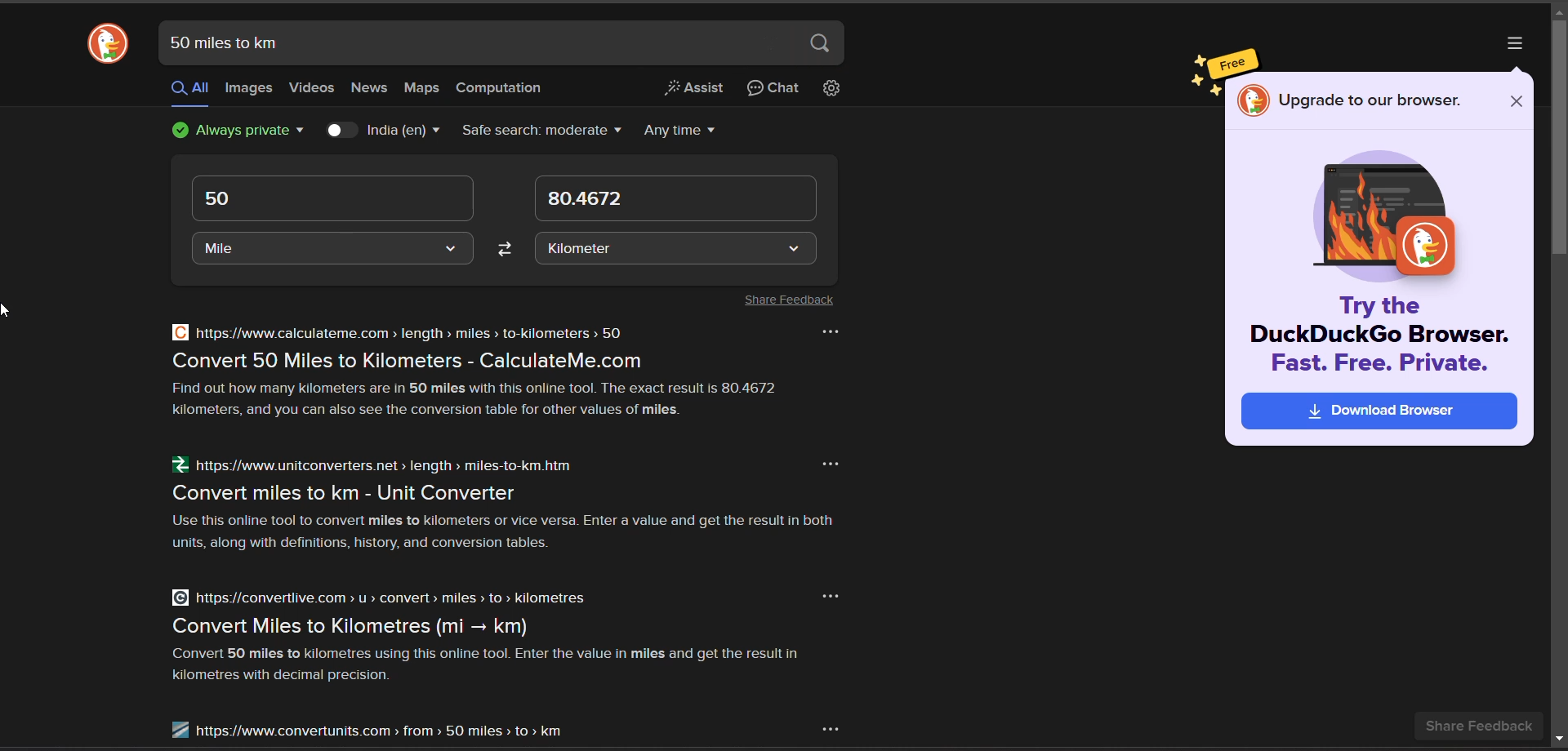  What do you see at coordinates (1388, 216) in the screenshot?
I see `image` at bounding box center [1388, 216].